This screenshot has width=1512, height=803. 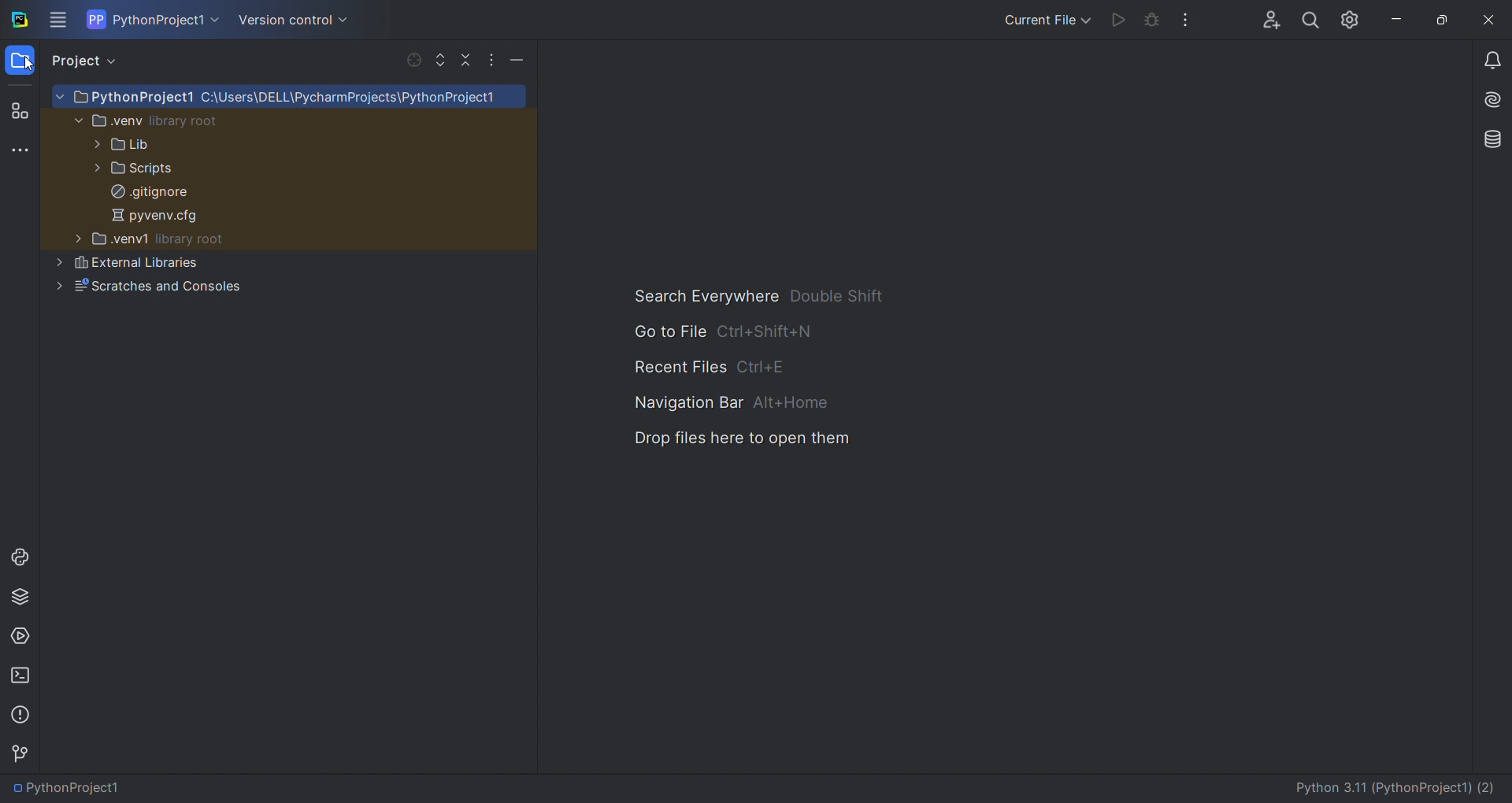 What do you see at coordinates (439, 60) in the screenshot?
I see `expand file` at bounding box center [439, 60].